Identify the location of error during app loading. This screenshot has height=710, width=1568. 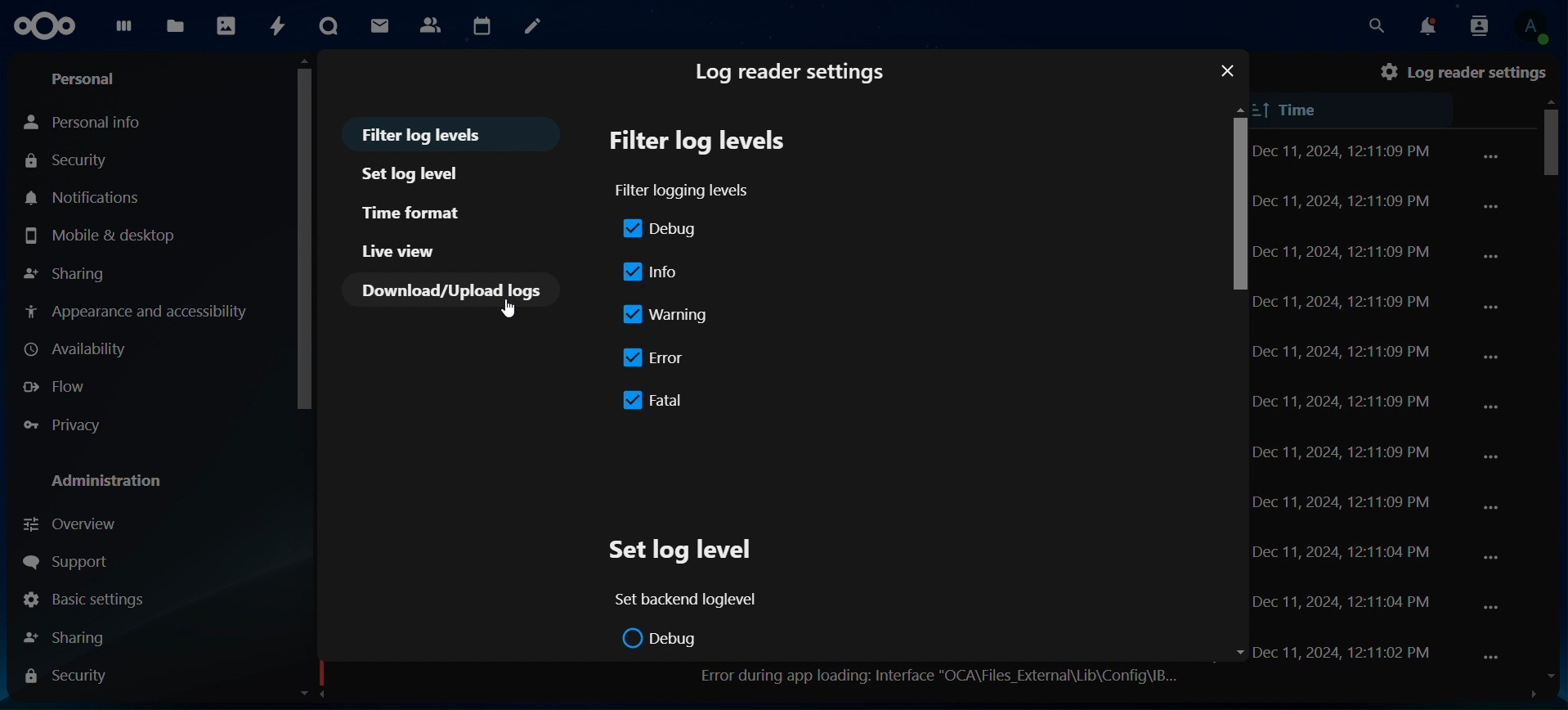
(934, 676).